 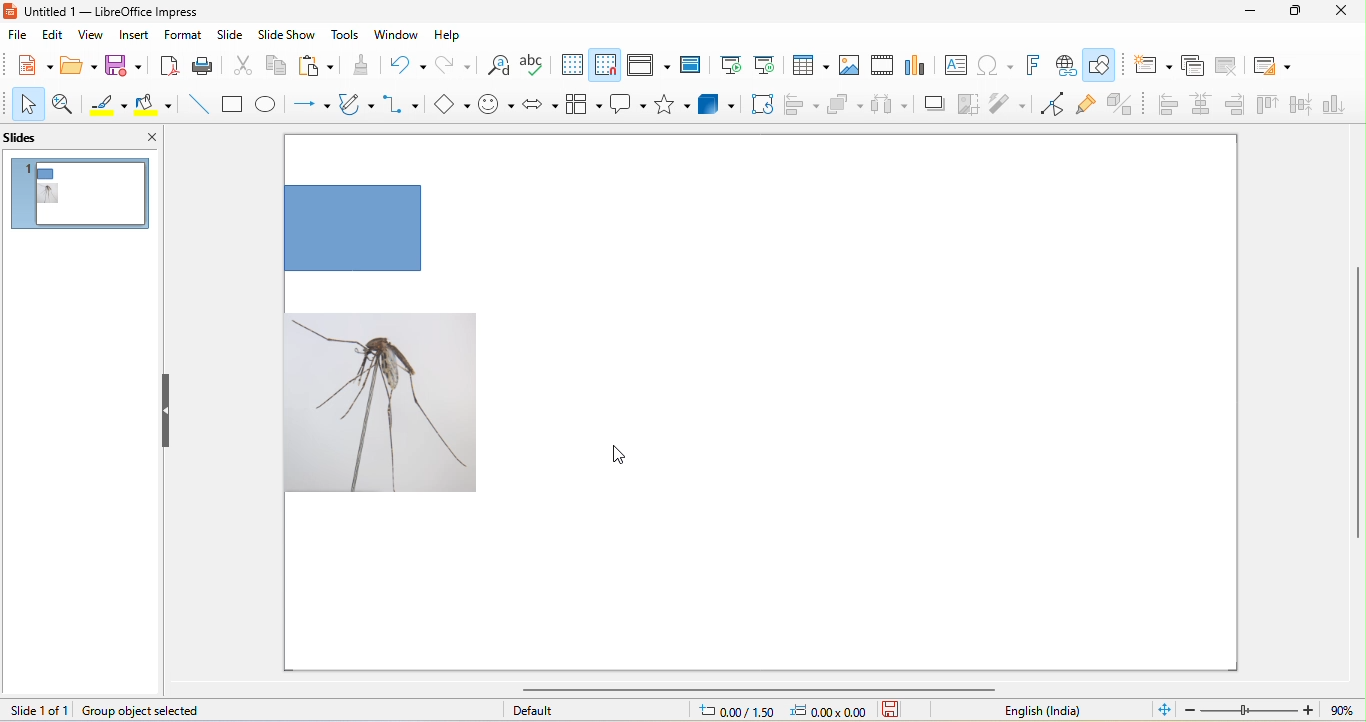 What do you see at coordinates (993, 65) in the screenshot?
I see `special character` at bounding box center [993, 65].